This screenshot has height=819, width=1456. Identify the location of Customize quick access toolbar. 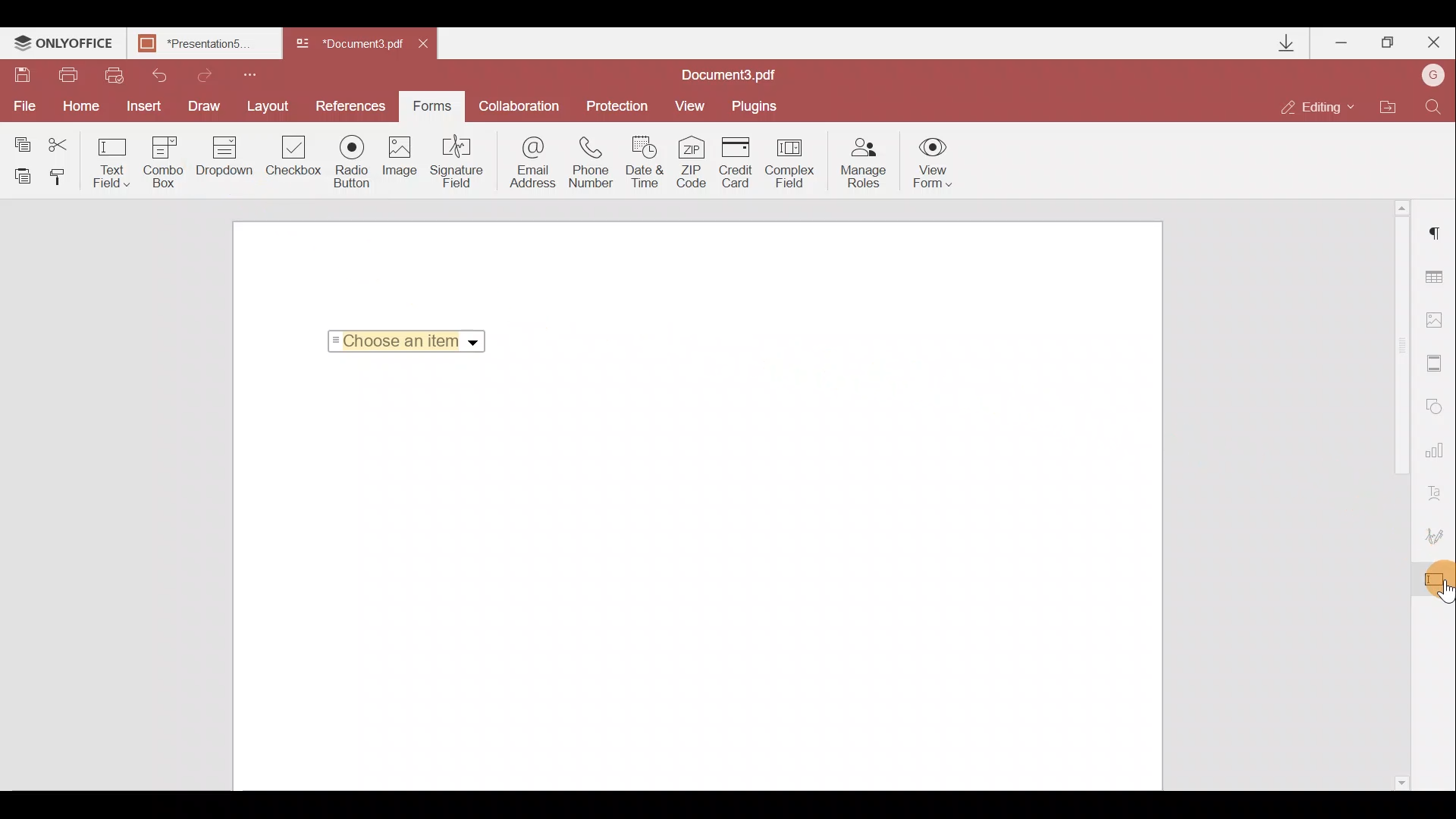
(256, 74).